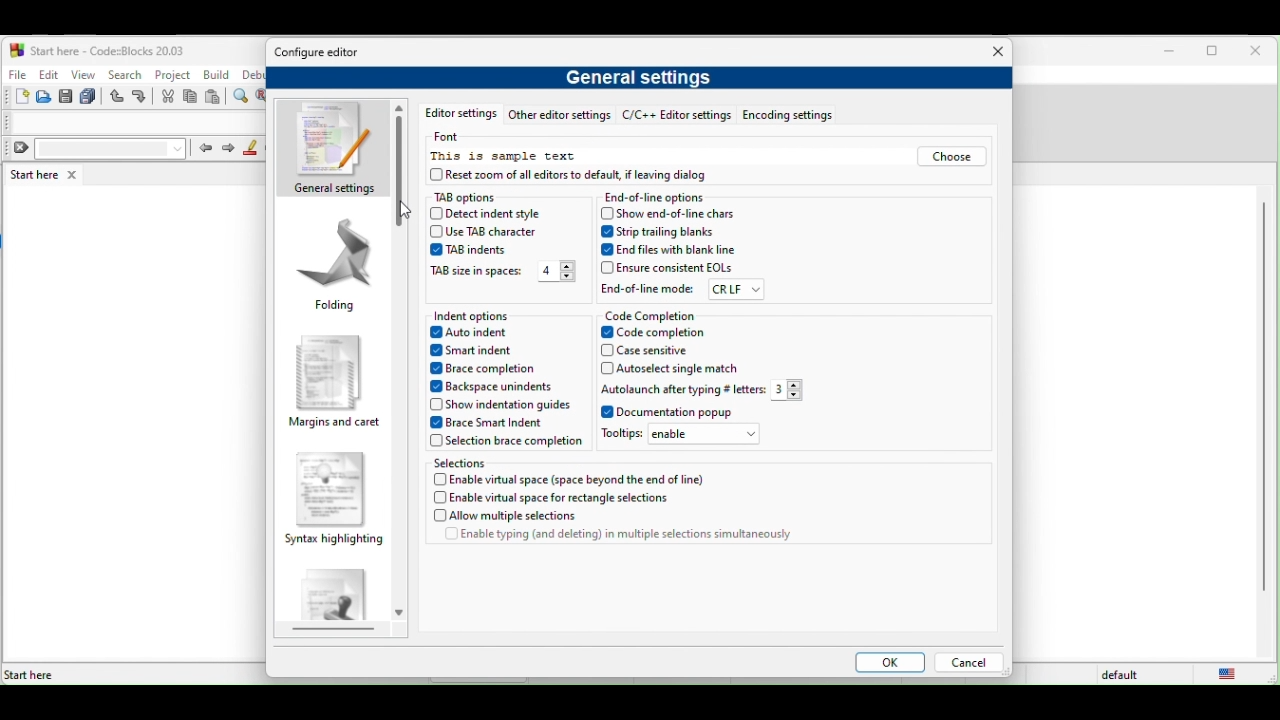  I want to click on start here, so click(47, 174).